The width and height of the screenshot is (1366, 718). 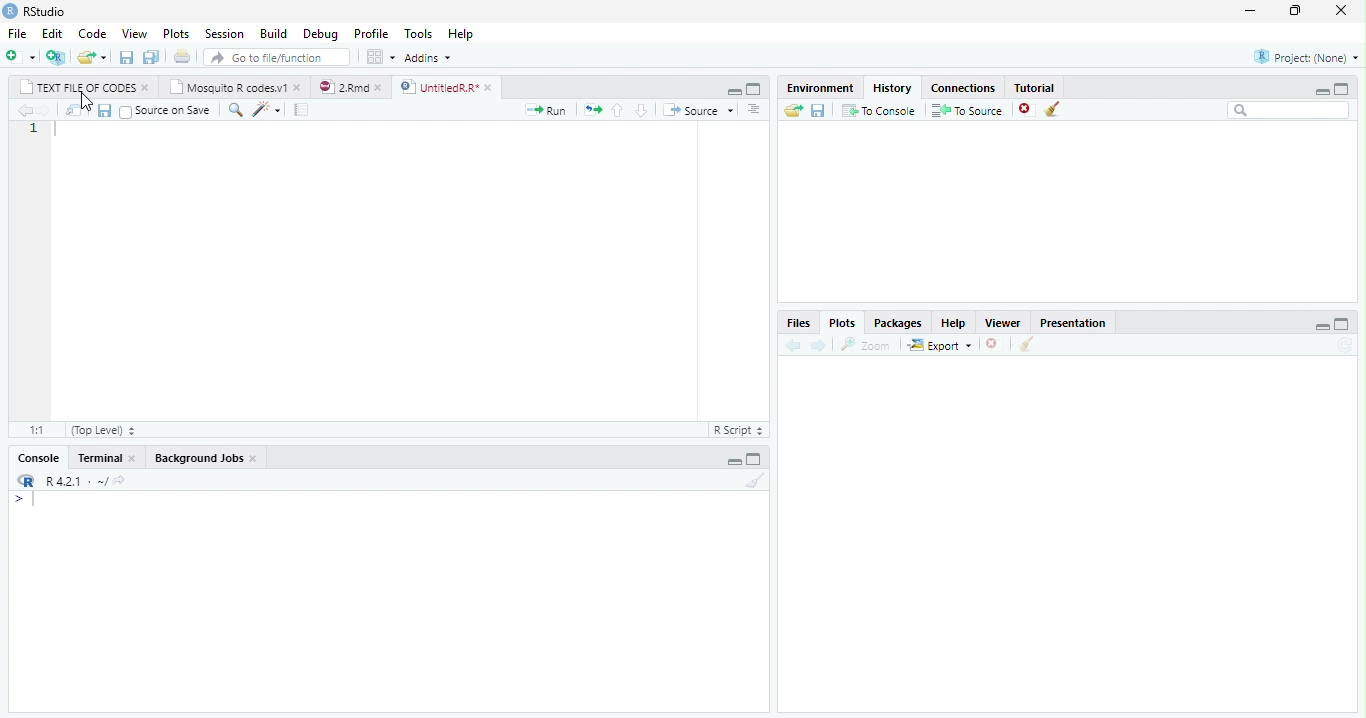 What do you see at coordinates (15, 32) in the screenshot?
I see `file` at bounding box center [15, 32].